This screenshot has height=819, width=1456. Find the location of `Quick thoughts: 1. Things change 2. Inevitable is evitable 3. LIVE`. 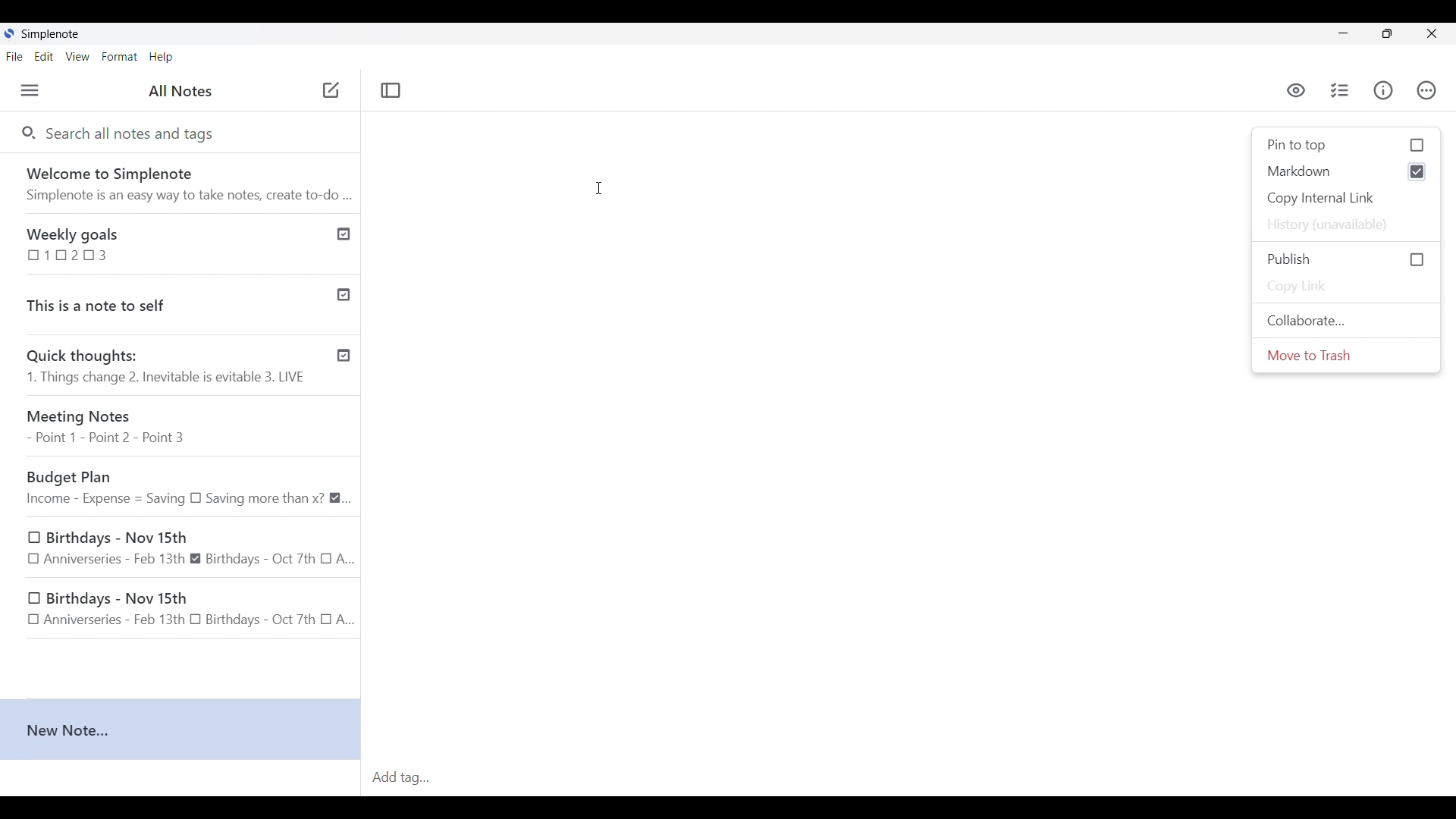

Quick thoughts: 1. Things change 2. Inevitable is evitable 3. LIVE is located at coordinates (165, 368).